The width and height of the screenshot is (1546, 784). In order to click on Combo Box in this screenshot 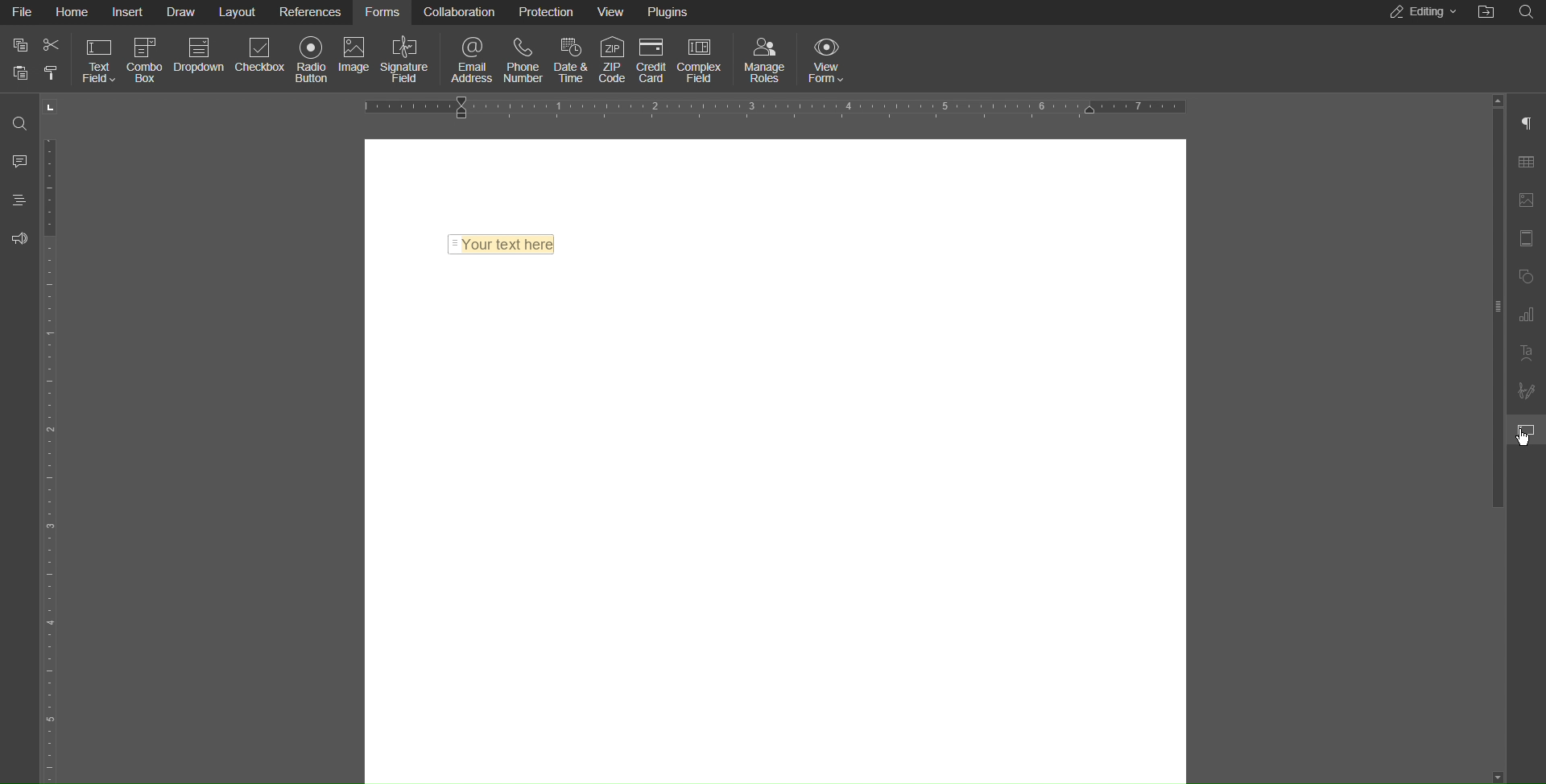, I will do `click(146, 60)`.